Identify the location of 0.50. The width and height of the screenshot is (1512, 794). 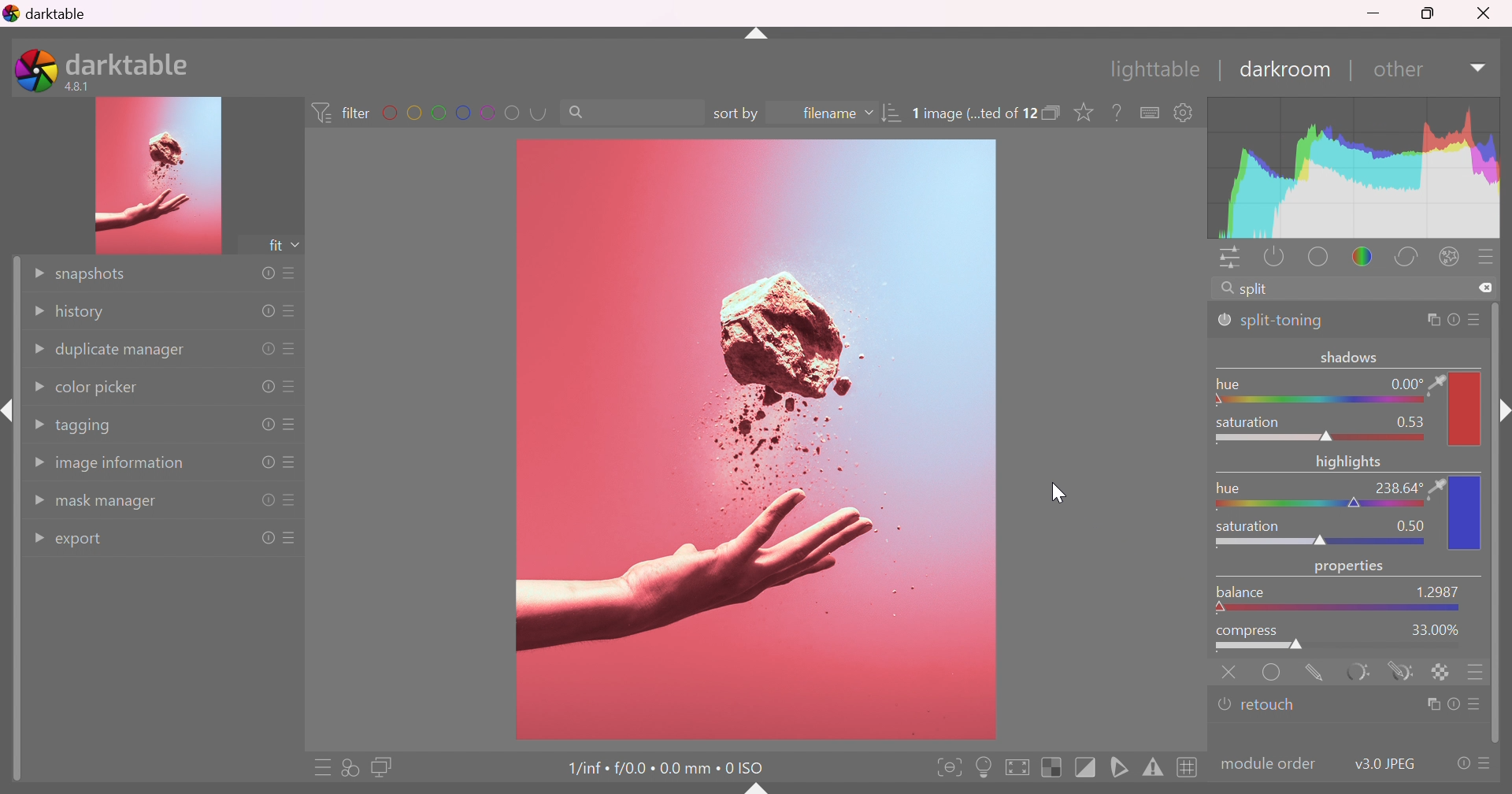
(1411, 525).